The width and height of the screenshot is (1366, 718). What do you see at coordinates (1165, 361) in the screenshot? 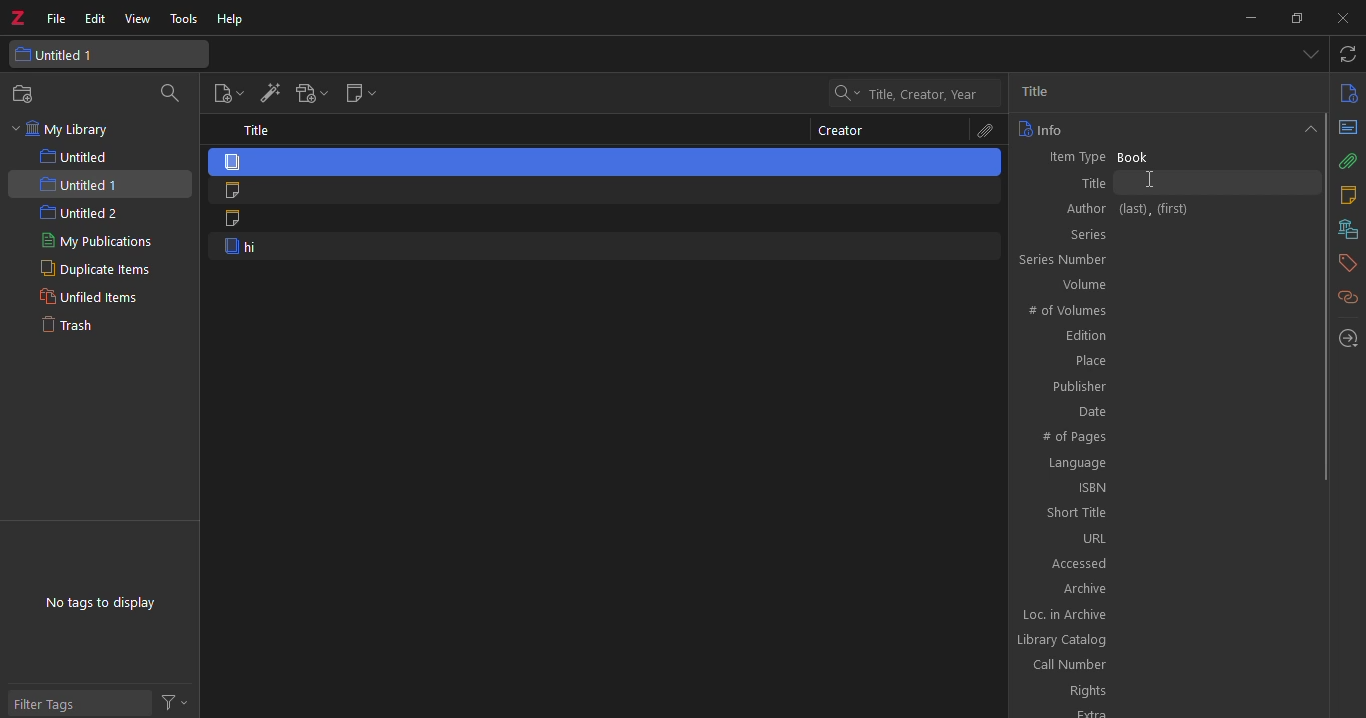
I see `Place` at bounding box center [1165, 361].